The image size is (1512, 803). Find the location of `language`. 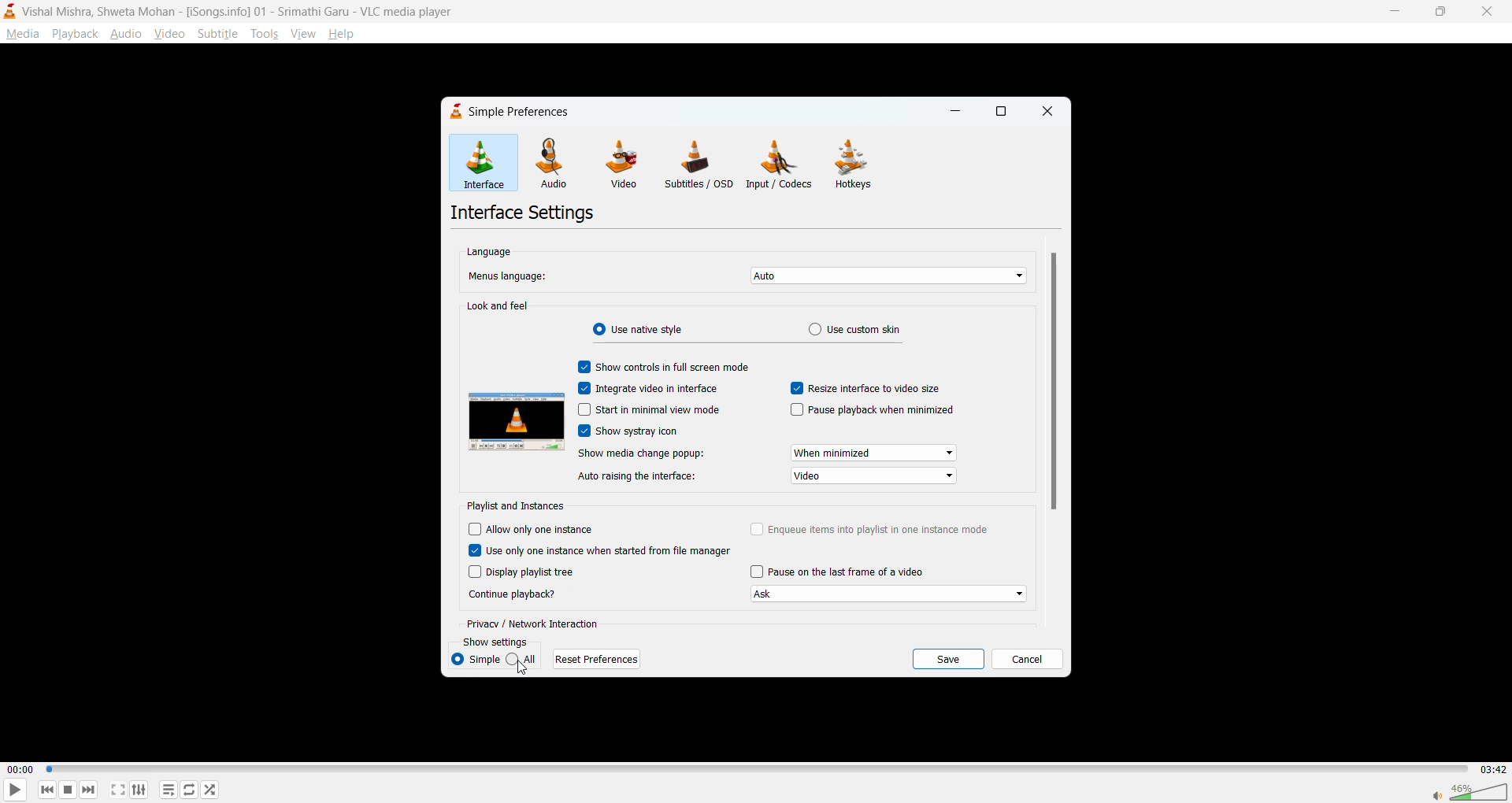

language is located at coordinates (492, 250).